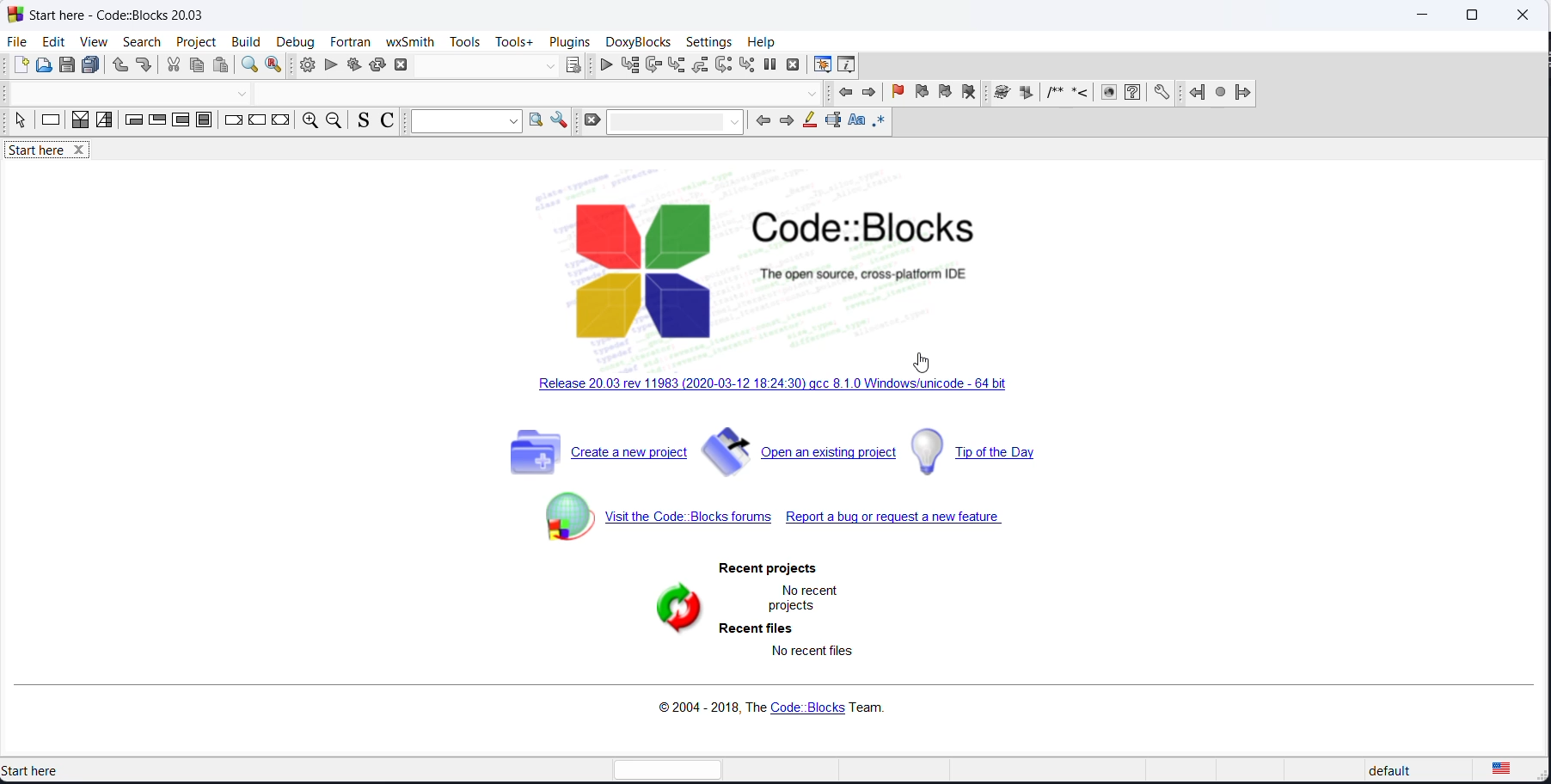  What do you see at coordinates (359, 123) in the screenshot?
I see `source comments` at bounding box center [359, 123].